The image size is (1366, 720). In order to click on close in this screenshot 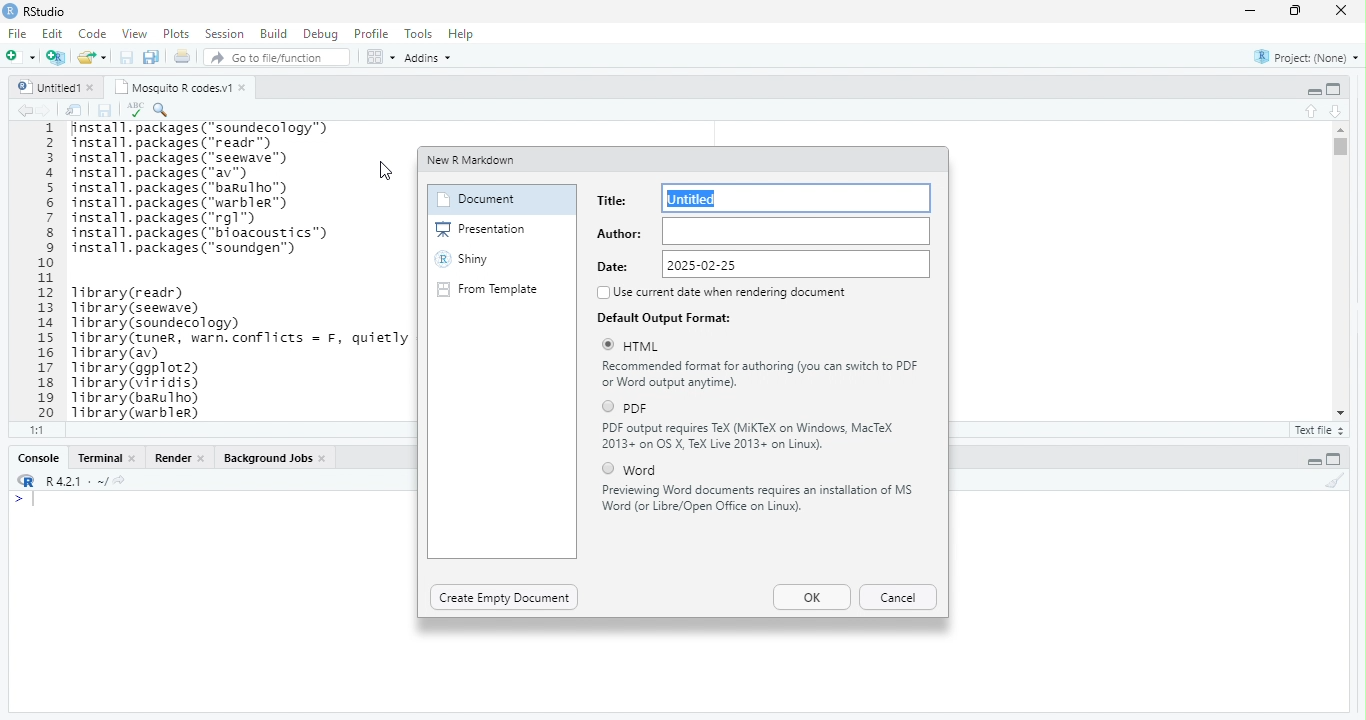, I will do `click(93, 88)`.